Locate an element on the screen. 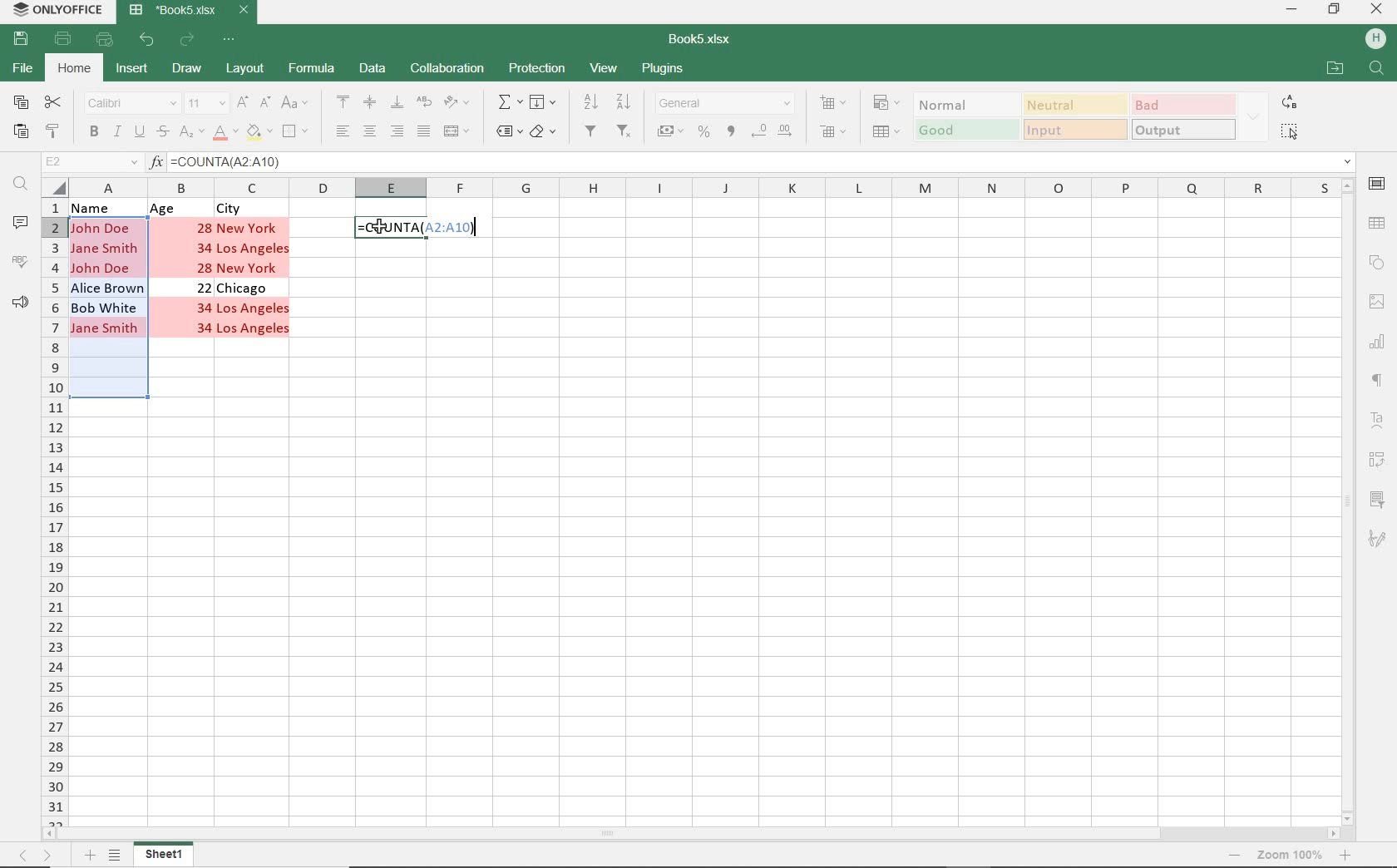 Image resolution: width=1397 pixels, height=868 pixels. VIEW is located at coordinates (605, 67).